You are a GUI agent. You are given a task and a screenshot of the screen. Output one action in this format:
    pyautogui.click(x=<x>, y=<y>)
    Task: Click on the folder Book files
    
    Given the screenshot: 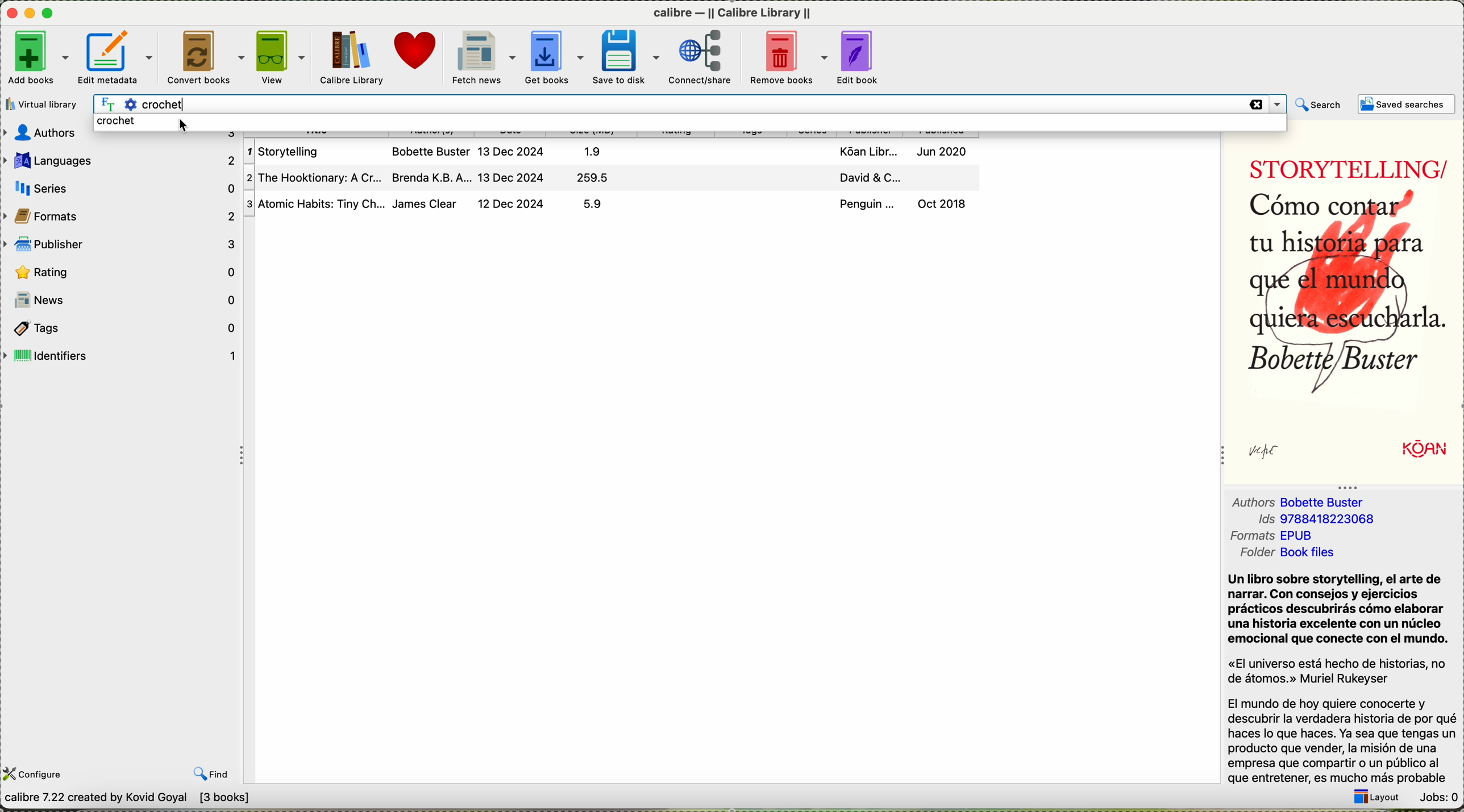 What is the action you would take?
    pyautogui.click(x=1254, y=555)
    